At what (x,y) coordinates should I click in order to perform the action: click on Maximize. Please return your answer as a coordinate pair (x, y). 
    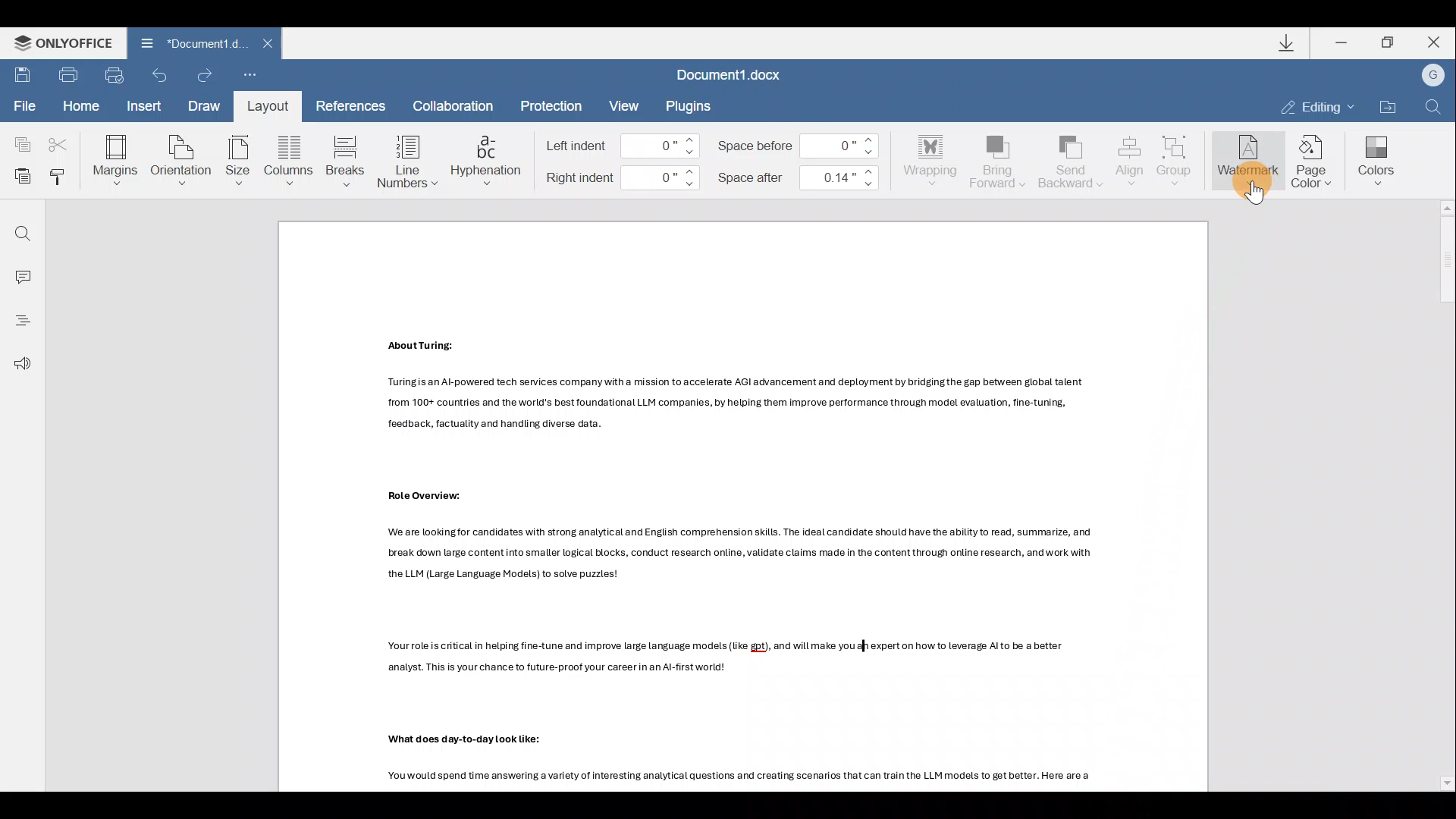
    Looking at the image, I should click on (1386, 42).